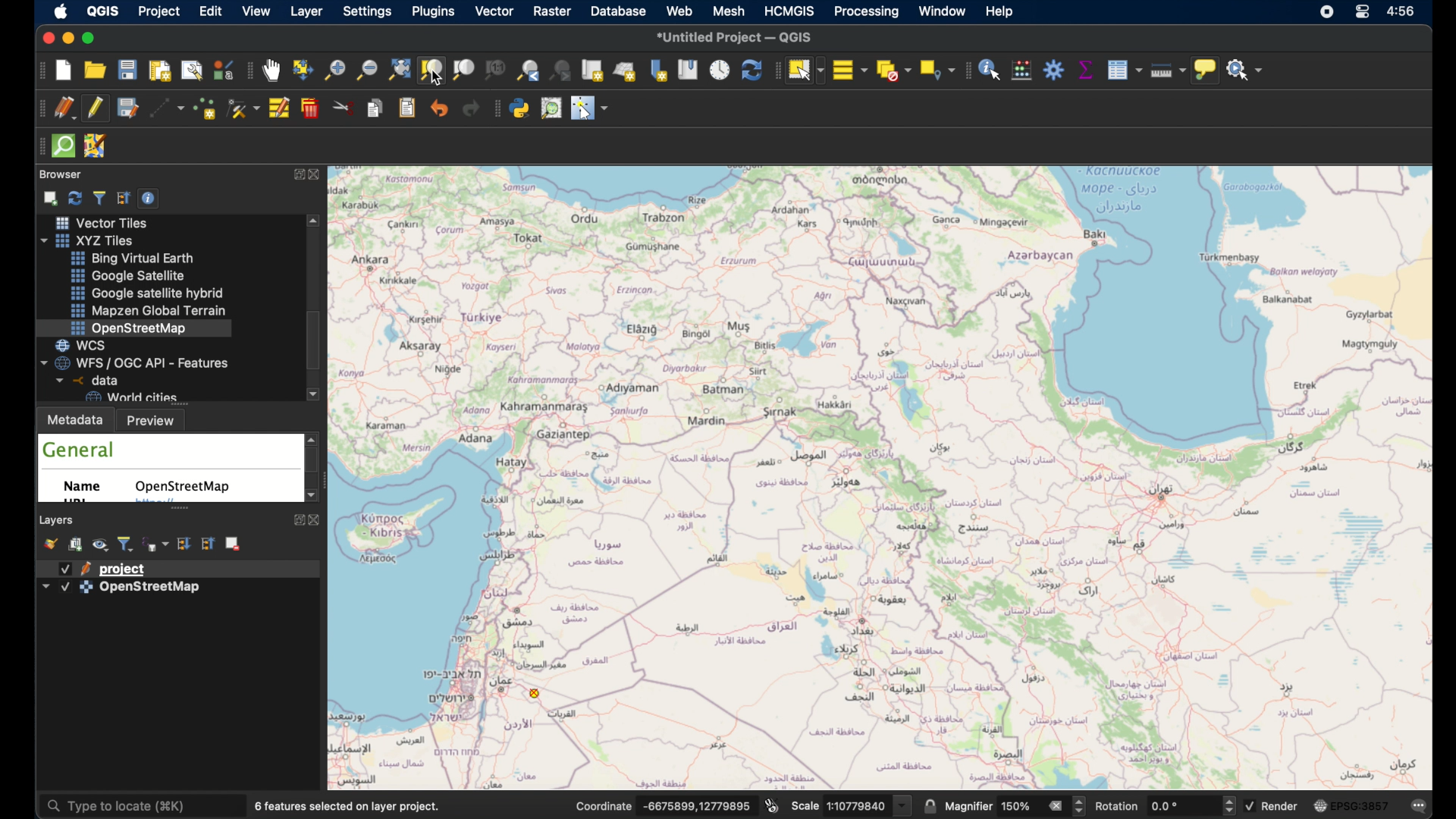 This screenshot has height=819, width=1456. What do you see at coordinates (128, 276) in the screenshot?
I see `google satellite` at bounding box center [128, 276].